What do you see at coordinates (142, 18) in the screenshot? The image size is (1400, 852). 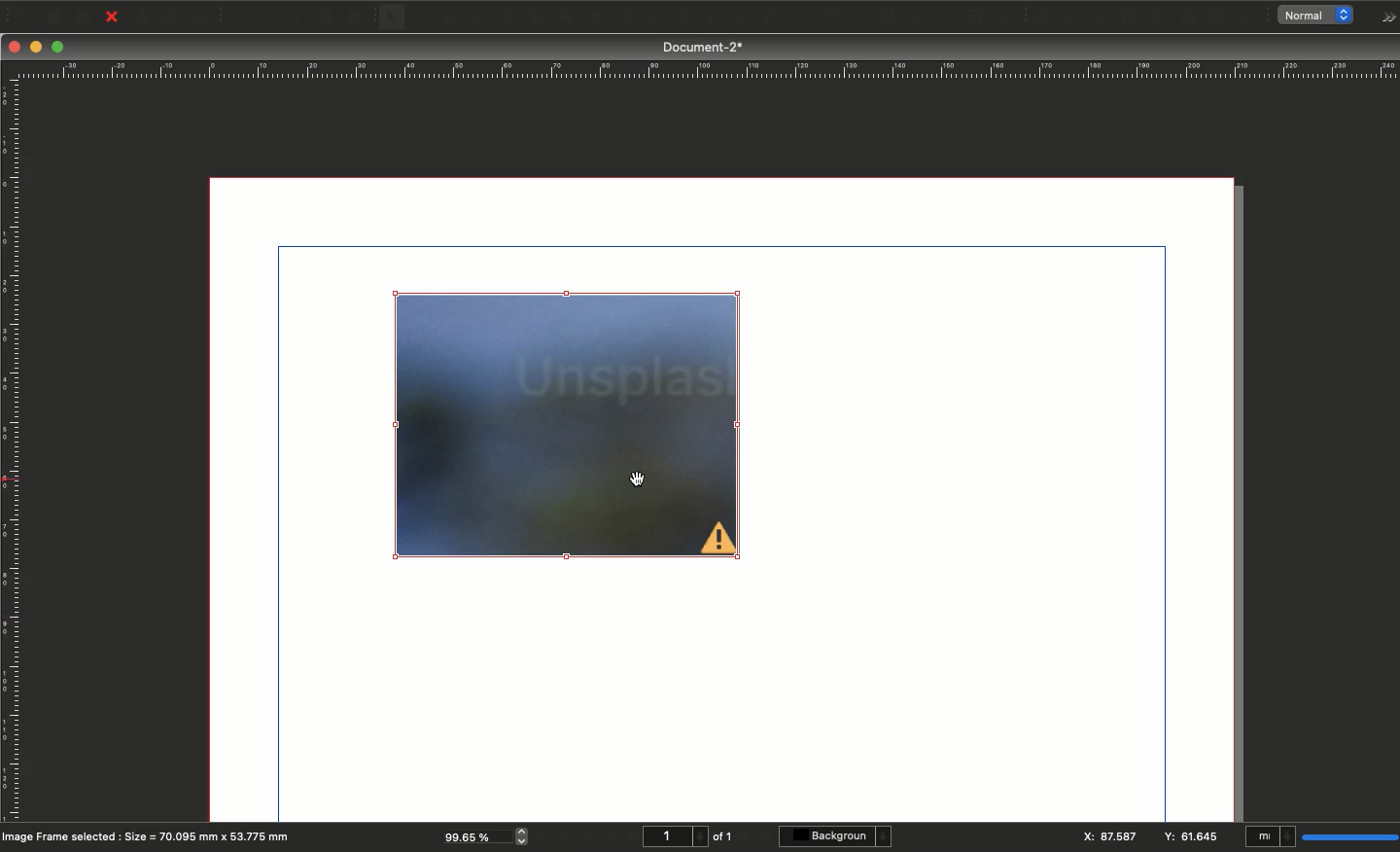 I see `Print` at bounding box center [142, 18].